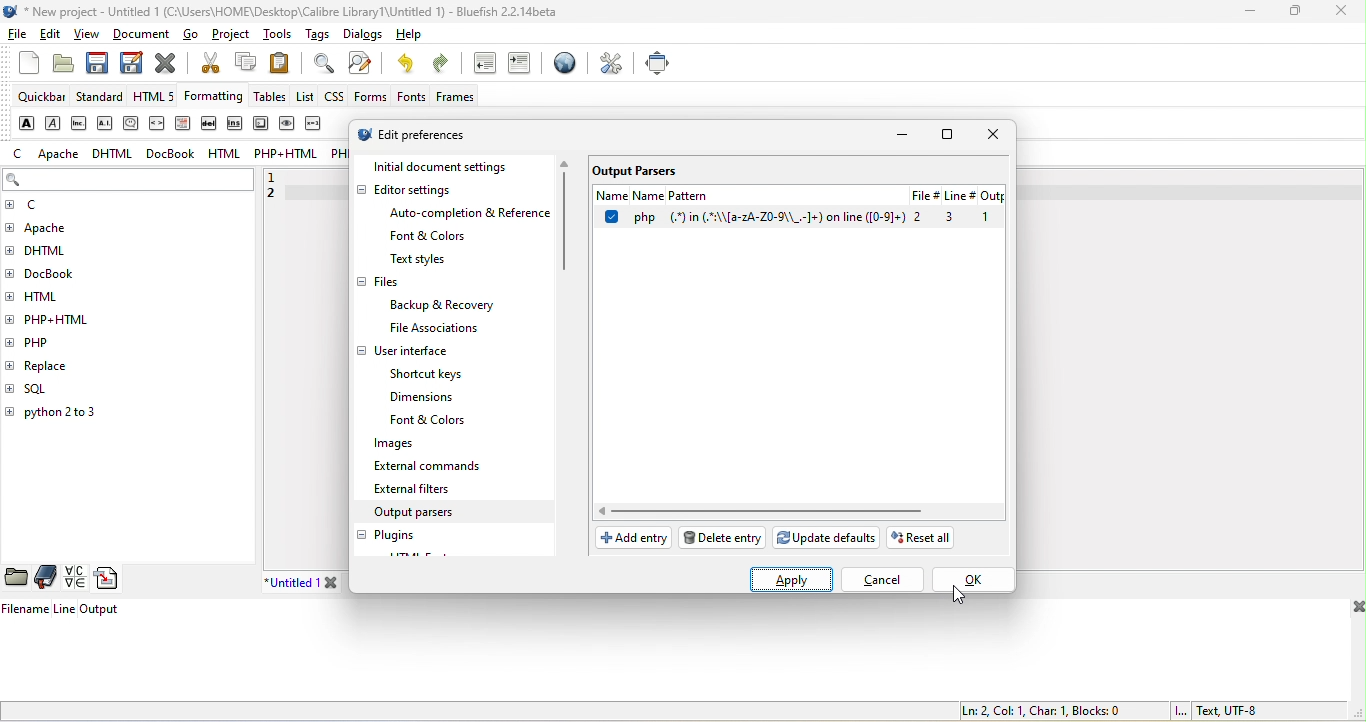  Describe the element at coordinates (182, 124) in the screenshot. I see `definition` at that location.